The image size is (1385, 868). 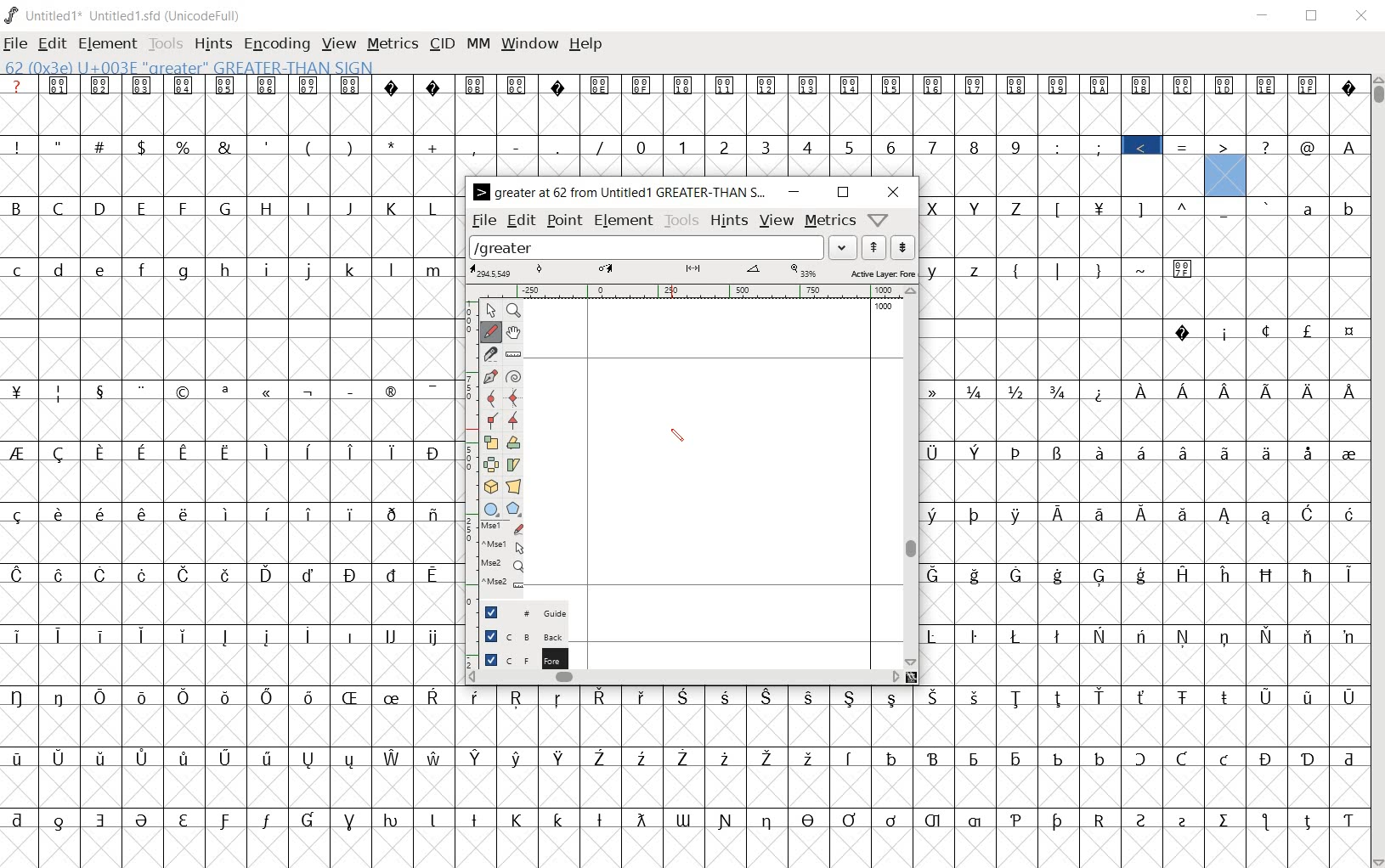 I want to click on minimize, so click(x=792, y=192).